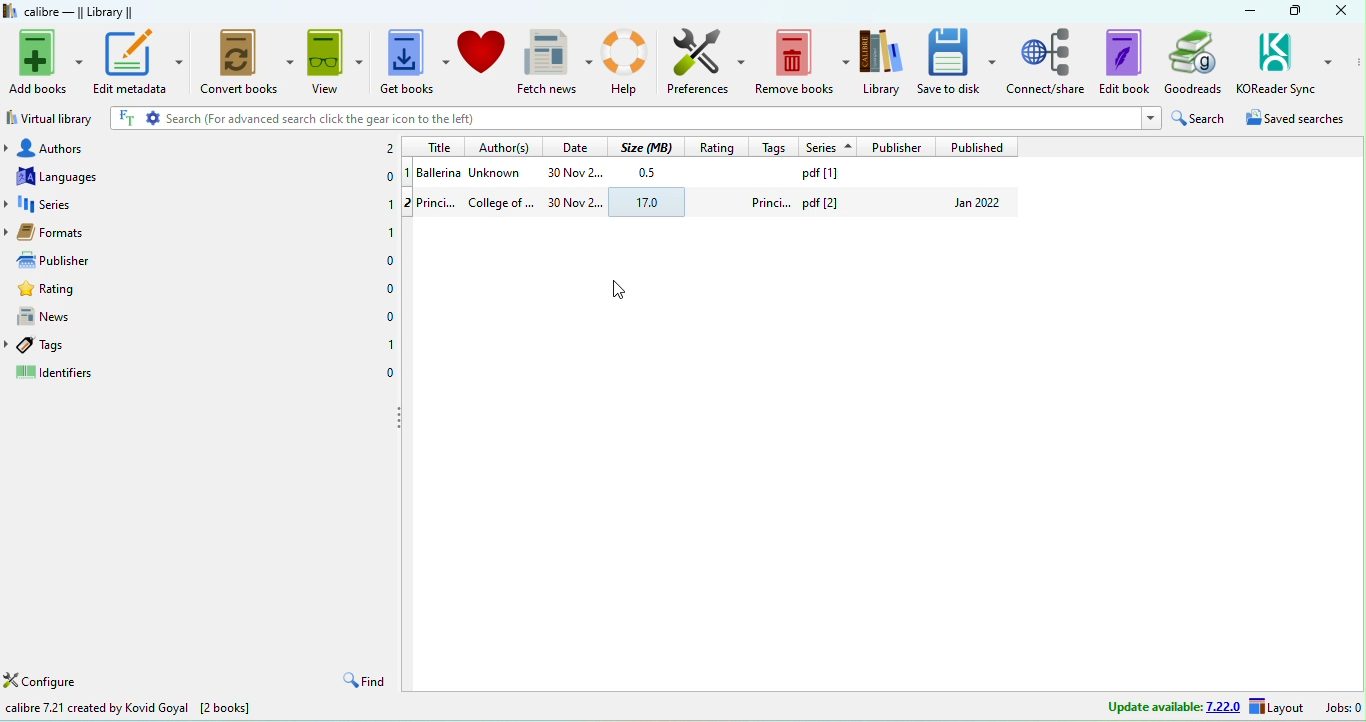 This screenshot has height=722, width=1366. Describe the element at coordinates (390, 174) in the screenshot. I see `0` at that location.